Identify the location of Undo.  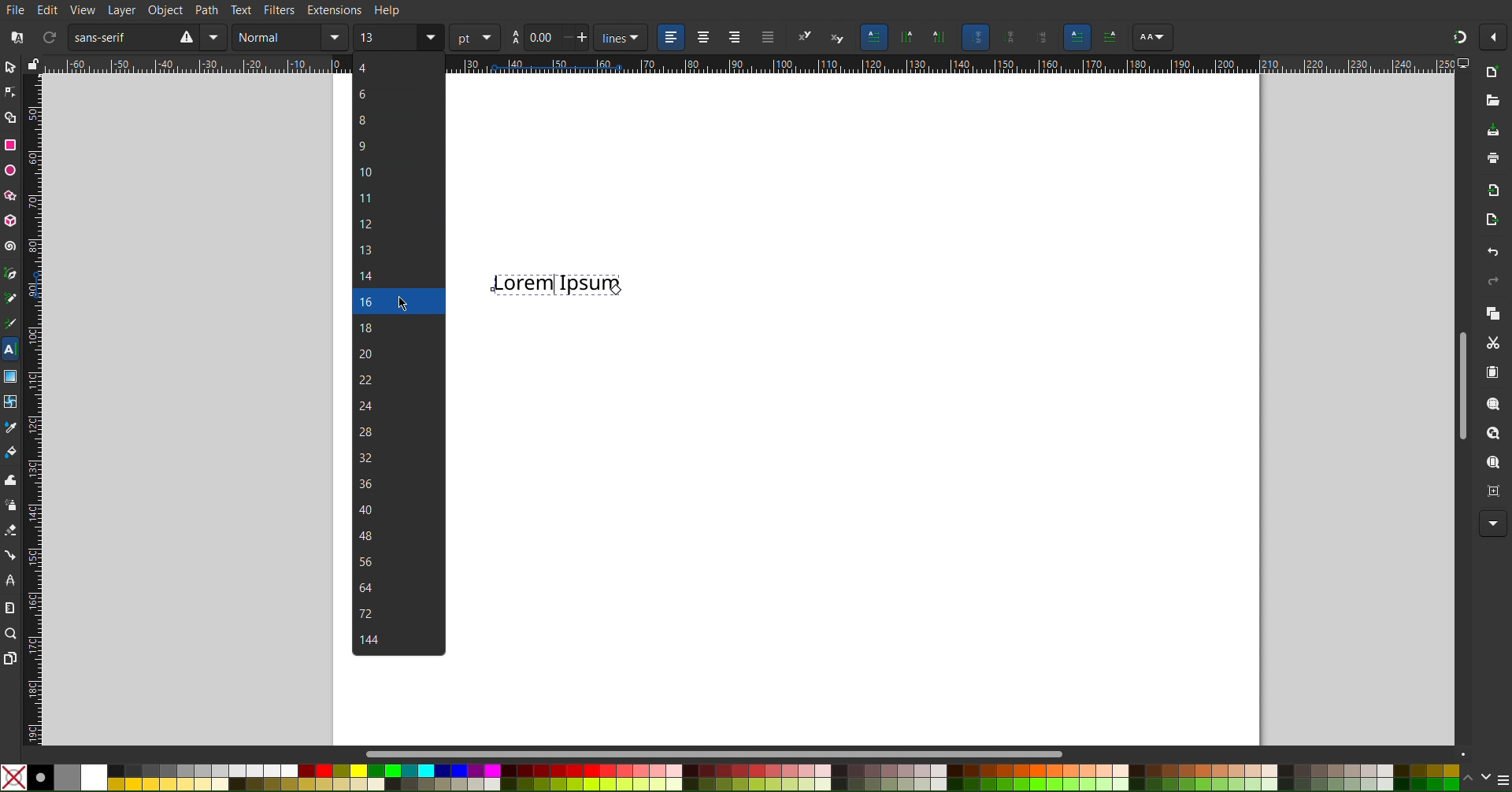
(1493, 253).